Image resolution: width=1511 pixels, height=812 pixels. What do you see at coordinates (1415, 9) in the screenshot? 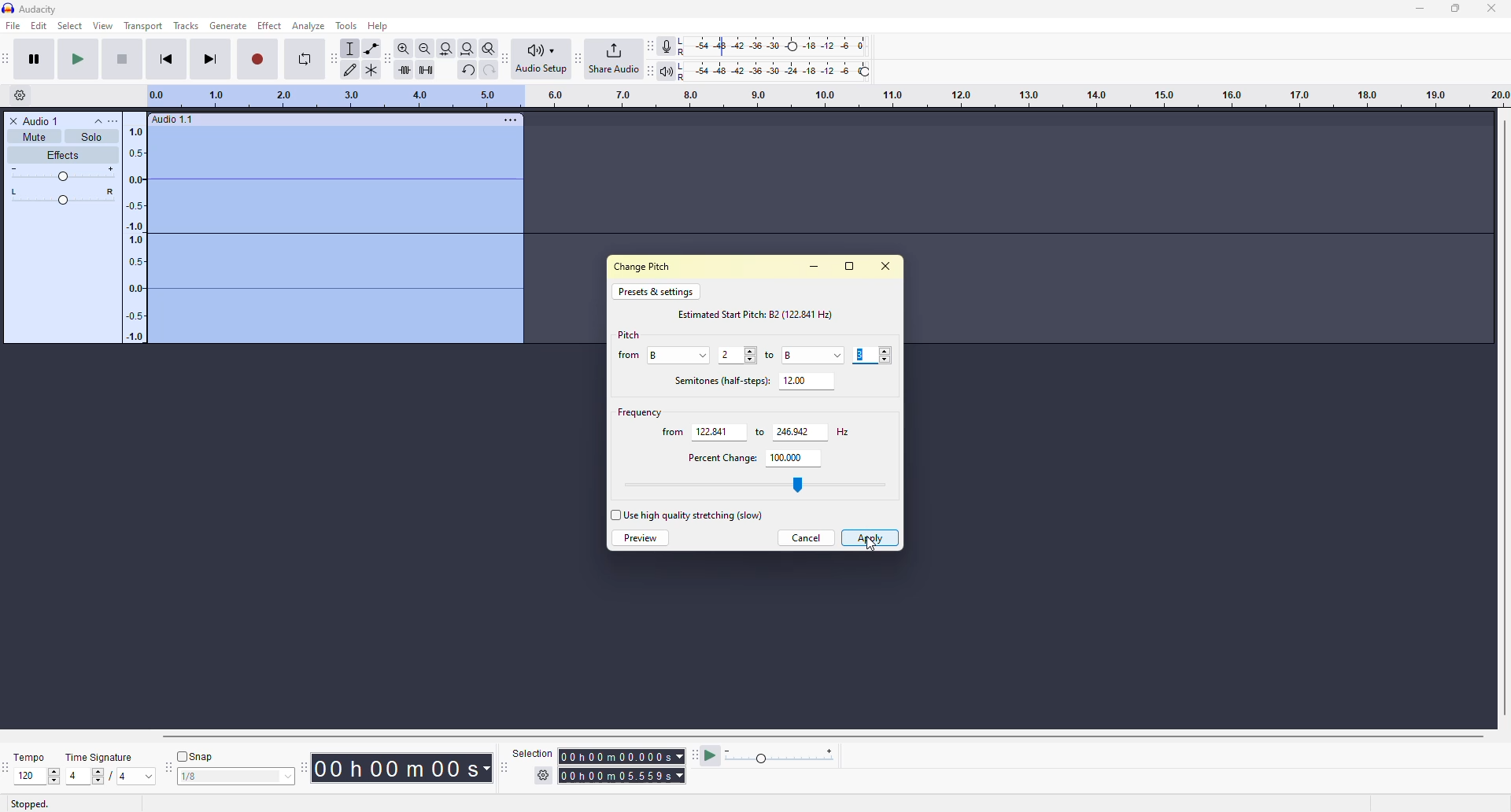
I see `minimize` at bounding box center [1415, 9].